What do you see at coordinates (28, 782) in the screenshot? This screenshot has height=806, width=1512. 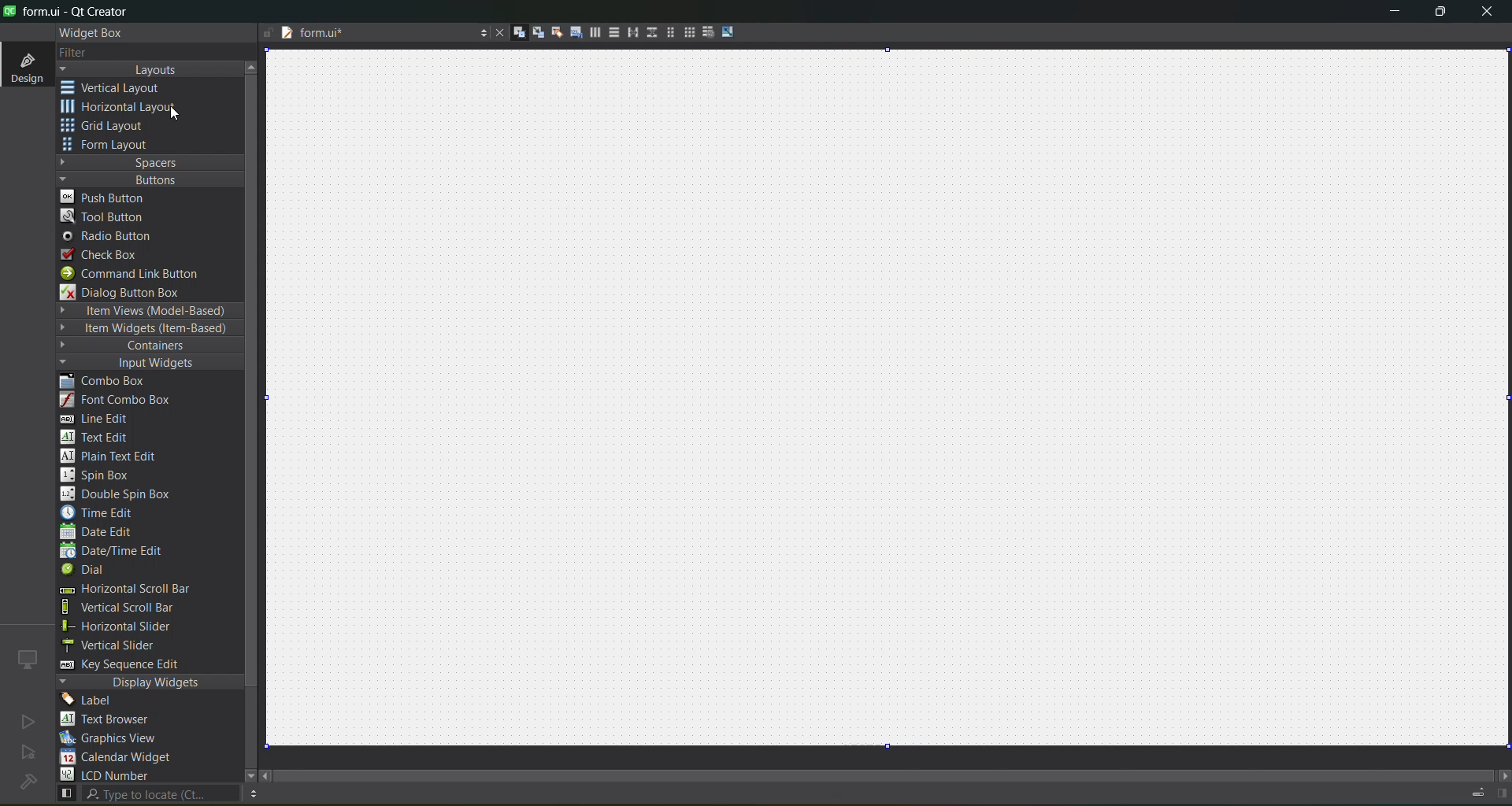 I see `no project loaded` at bounding box center [28, 782].